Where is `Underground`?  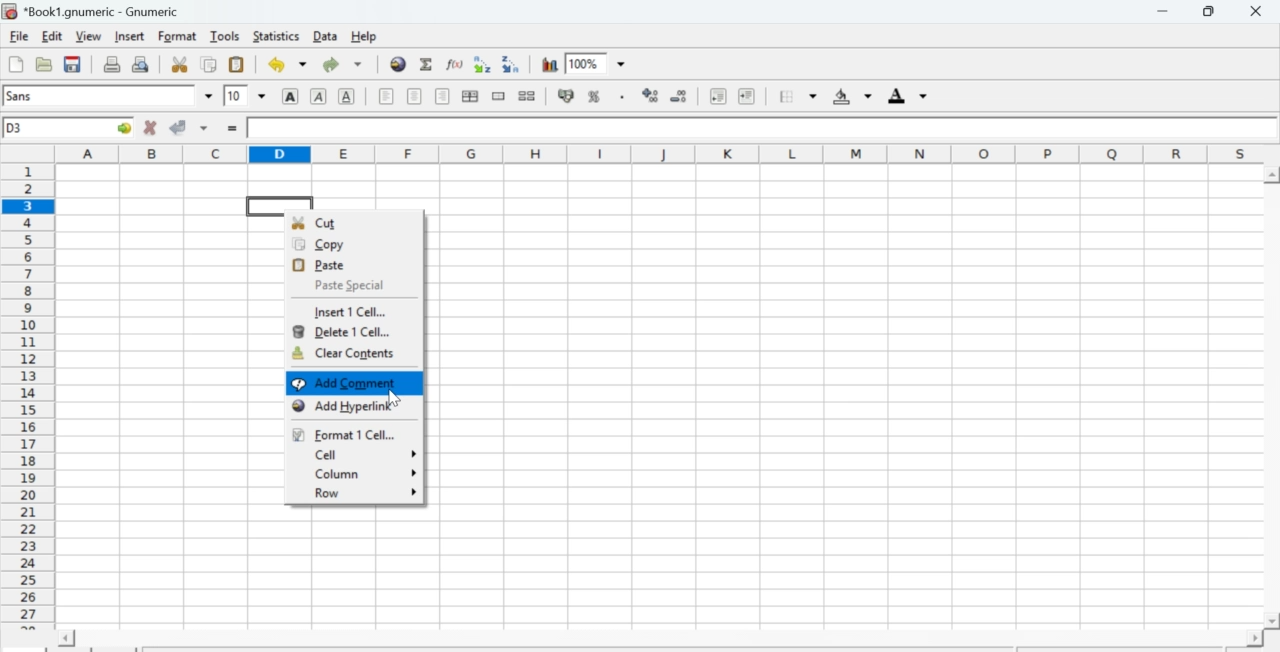
Underground is located at coordinates (346, 96).